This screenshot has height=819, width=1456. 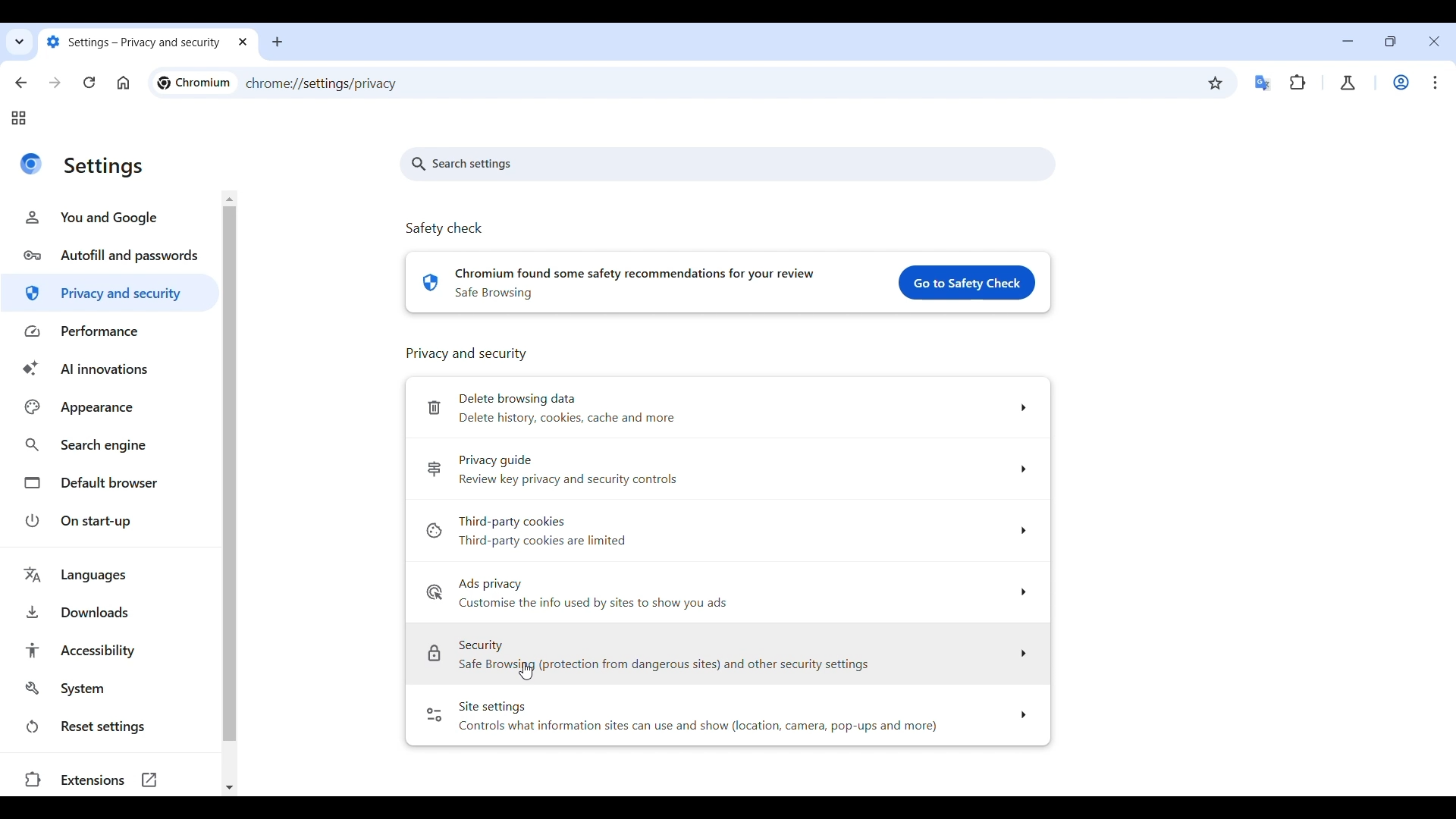 What do you see at coordinates (111, 331) in the screenshot?
I see `Performance` at bounding box center [111, 331].